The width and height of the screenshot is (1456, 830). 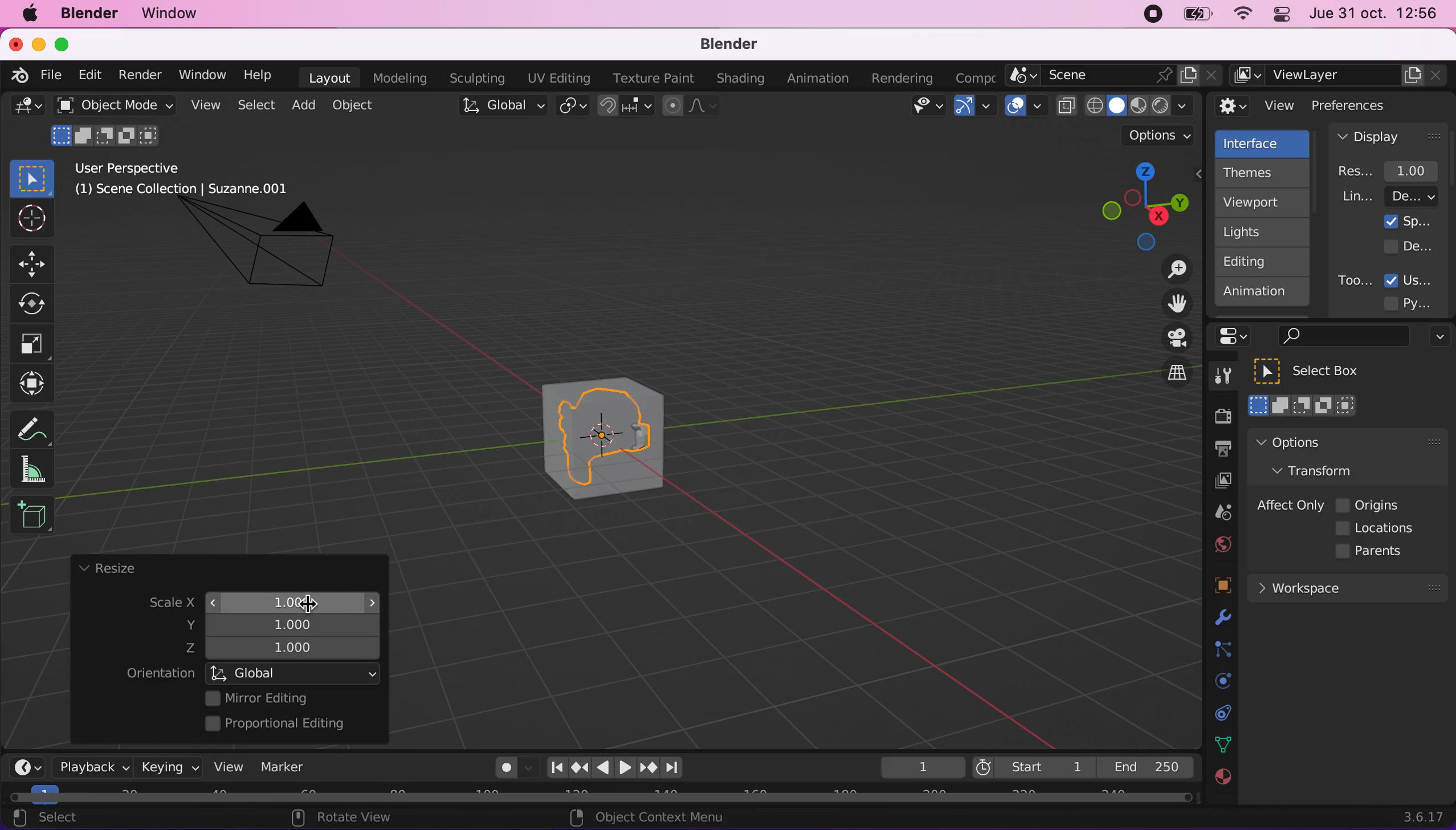 I want to click on blender, so click(x=721, y=45).